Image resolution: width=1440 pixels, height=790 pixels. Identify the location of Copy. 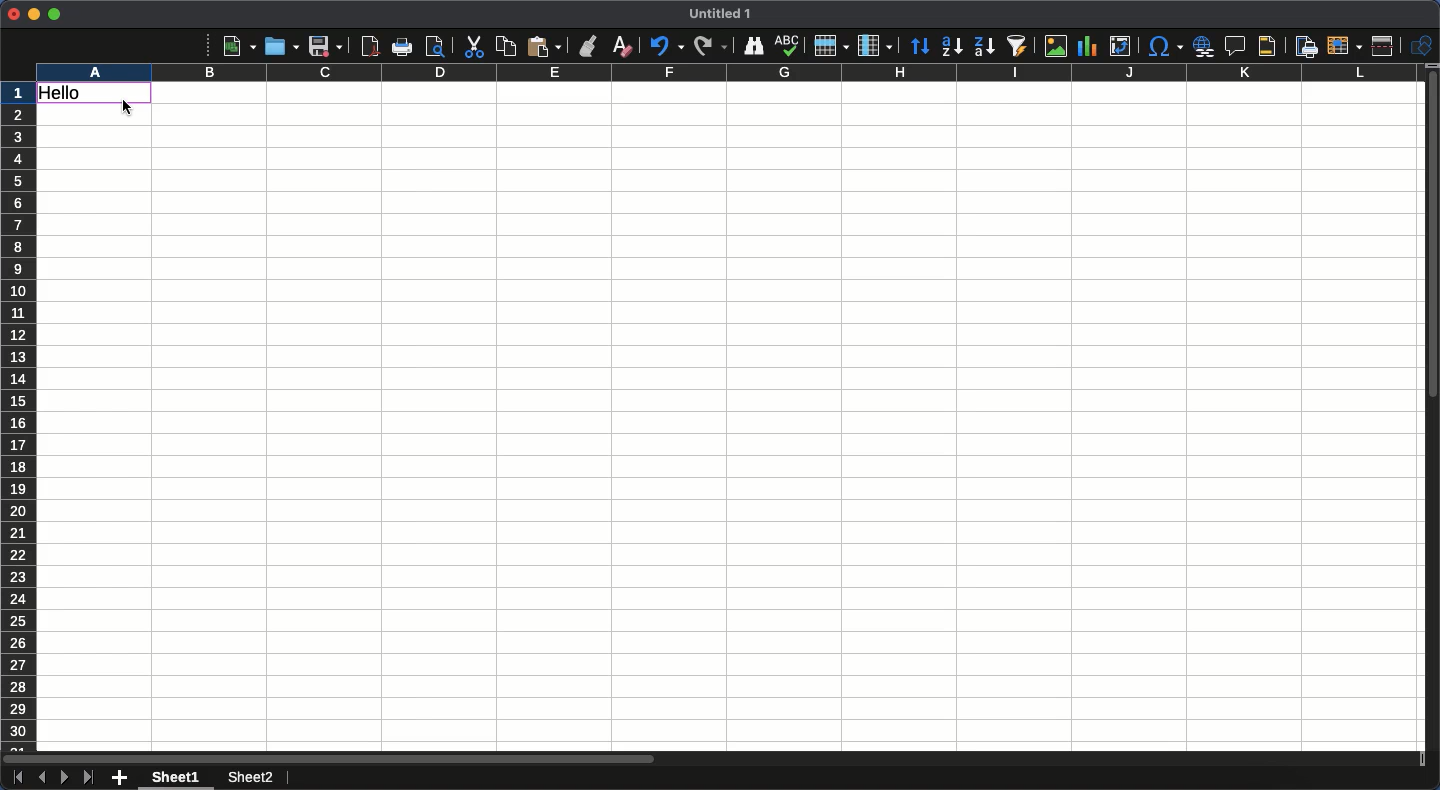
(506, 46).